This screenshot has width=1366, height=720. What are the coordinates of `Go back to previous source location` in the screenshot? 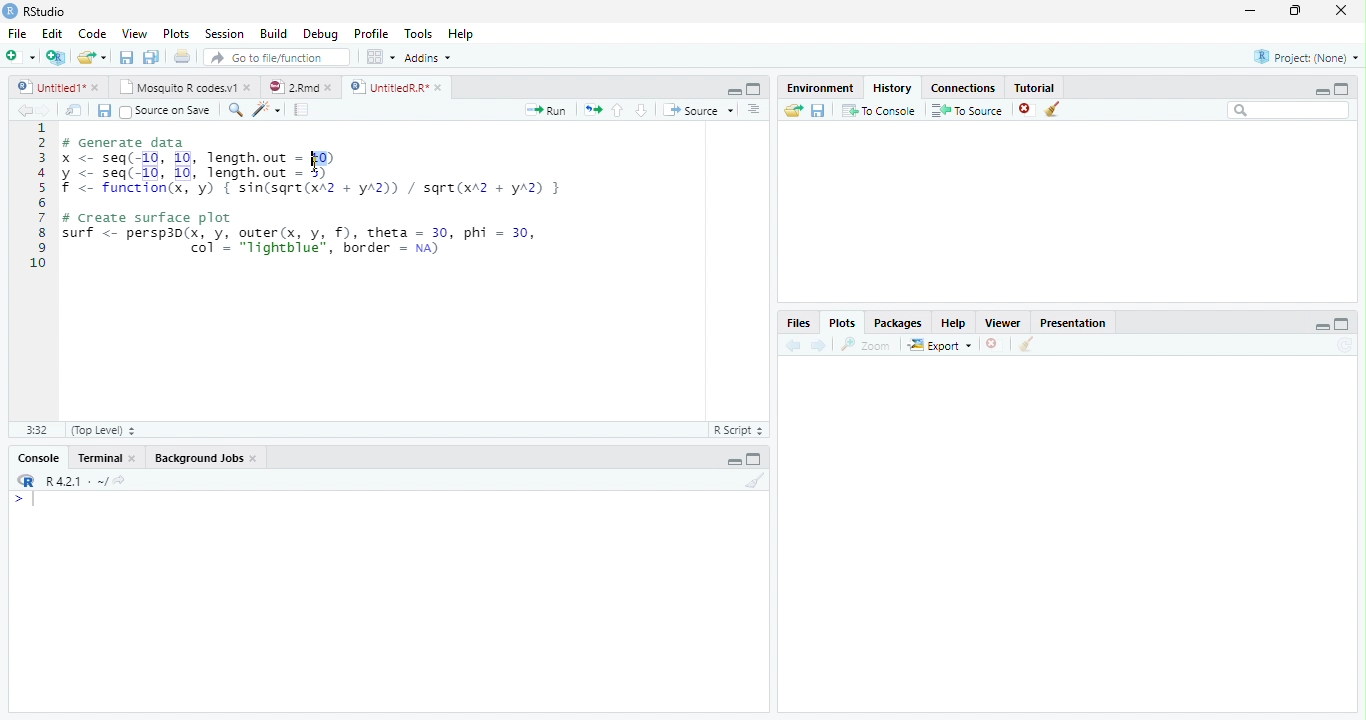 It's located at (24, 110).